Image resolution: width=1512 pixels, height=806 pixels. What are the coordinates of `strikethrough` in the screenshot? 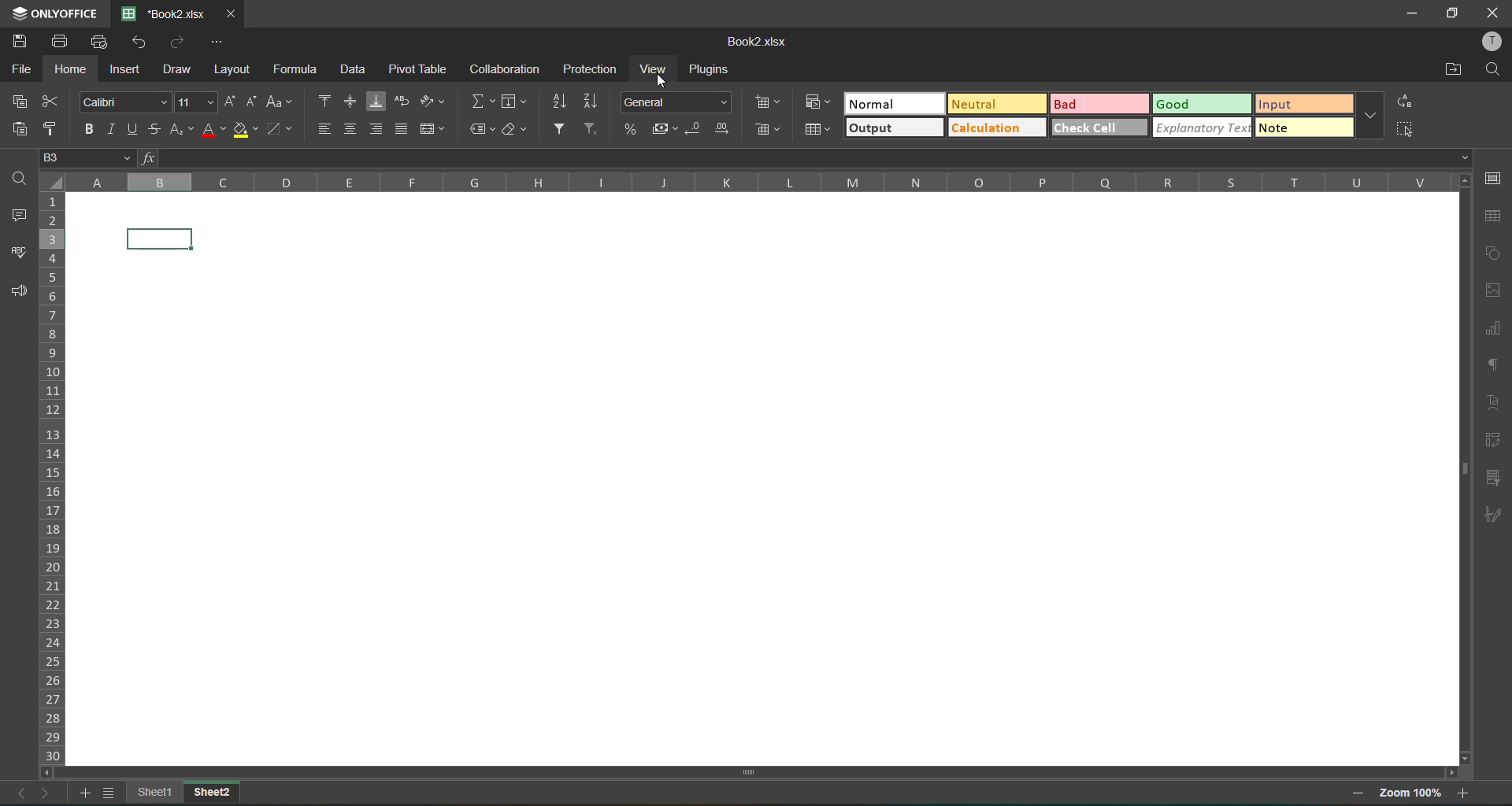 It's located at (155, 129).